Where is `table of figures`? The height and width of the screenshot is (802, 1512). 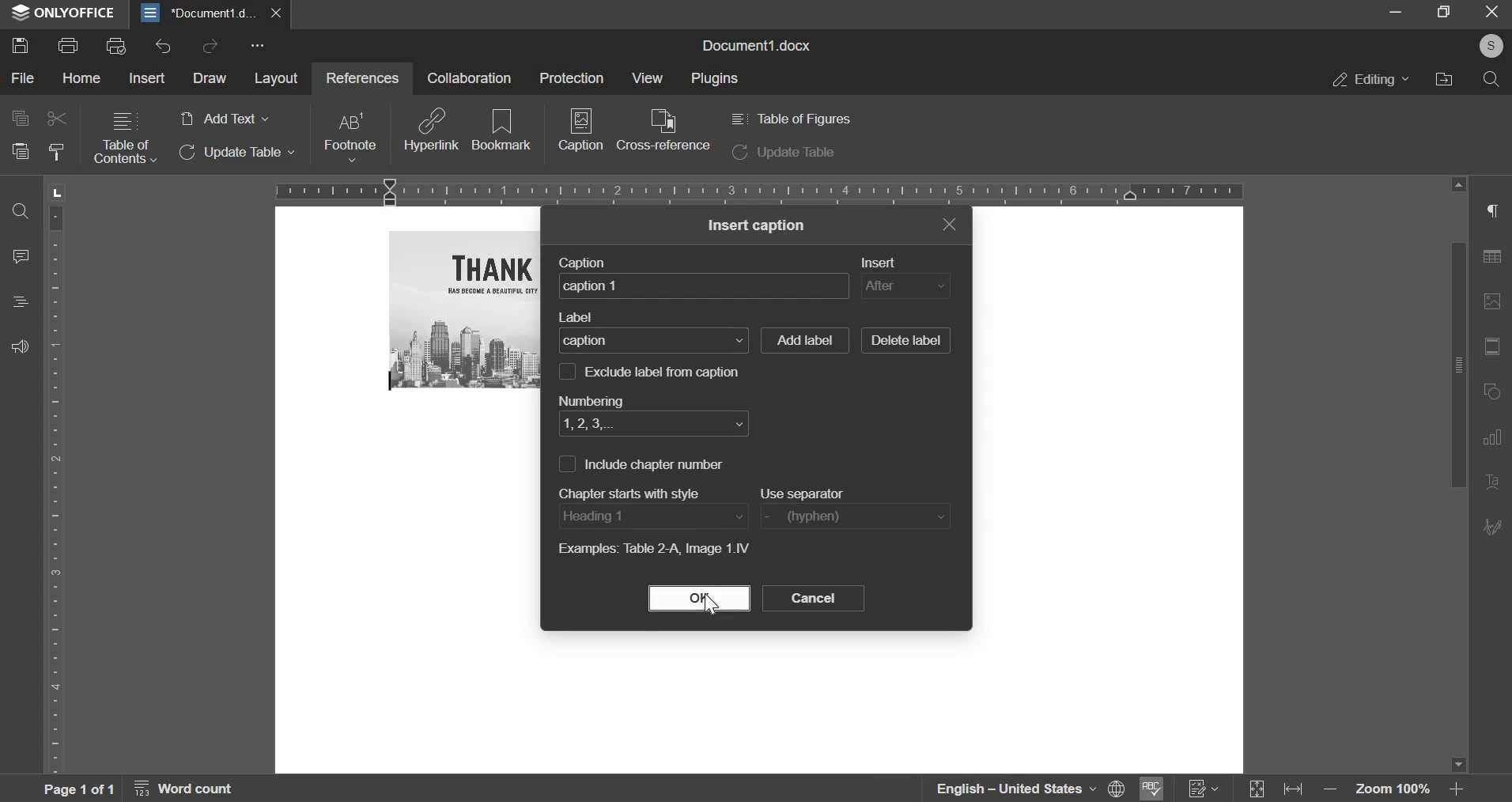
table of figures is located at coordinates (789, 119).